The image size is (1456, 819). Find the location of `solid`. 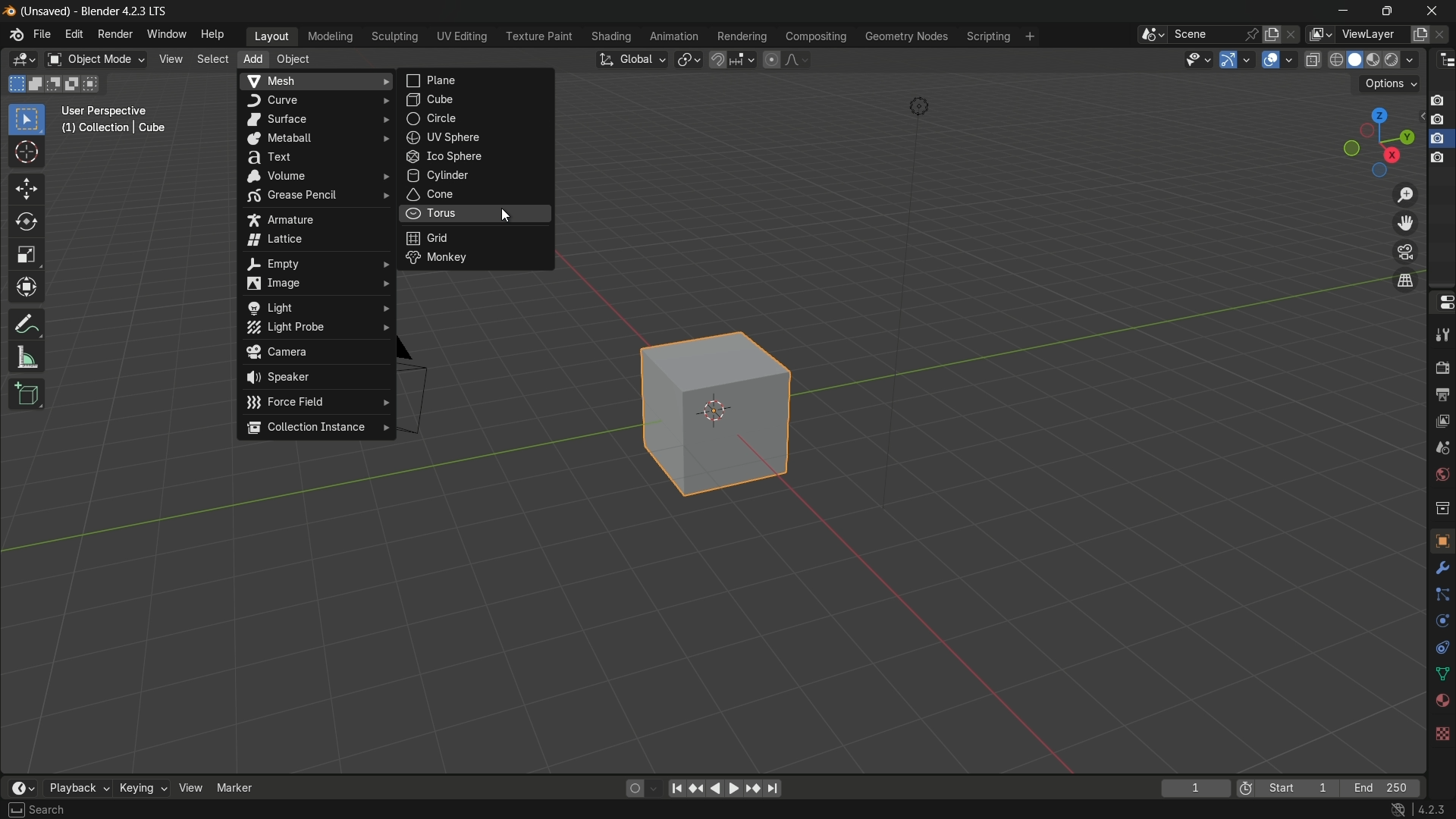

solid is located at coordinates (1357, 60).